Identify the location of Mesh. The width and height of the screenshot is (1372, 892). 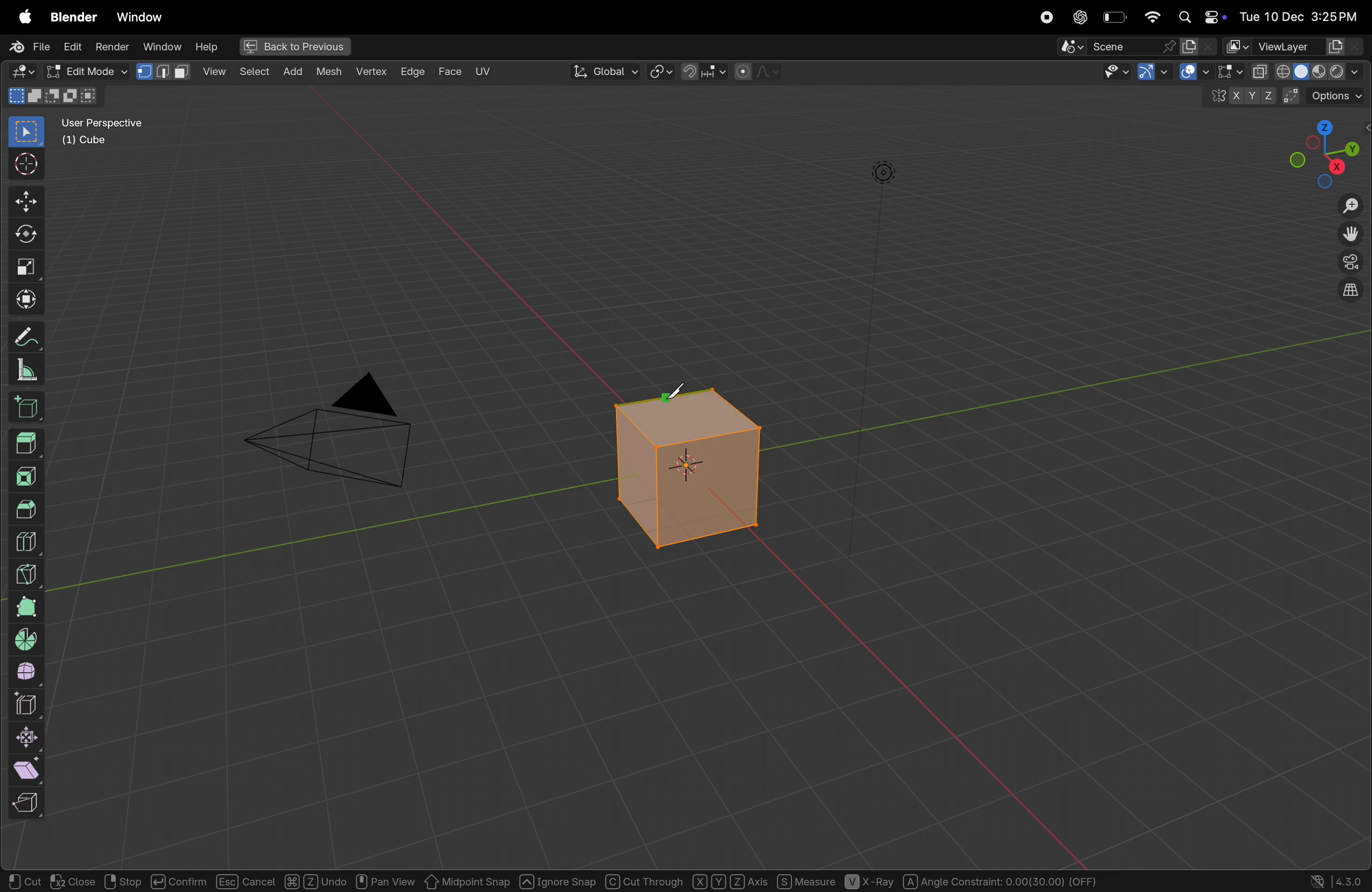
(331, 74).